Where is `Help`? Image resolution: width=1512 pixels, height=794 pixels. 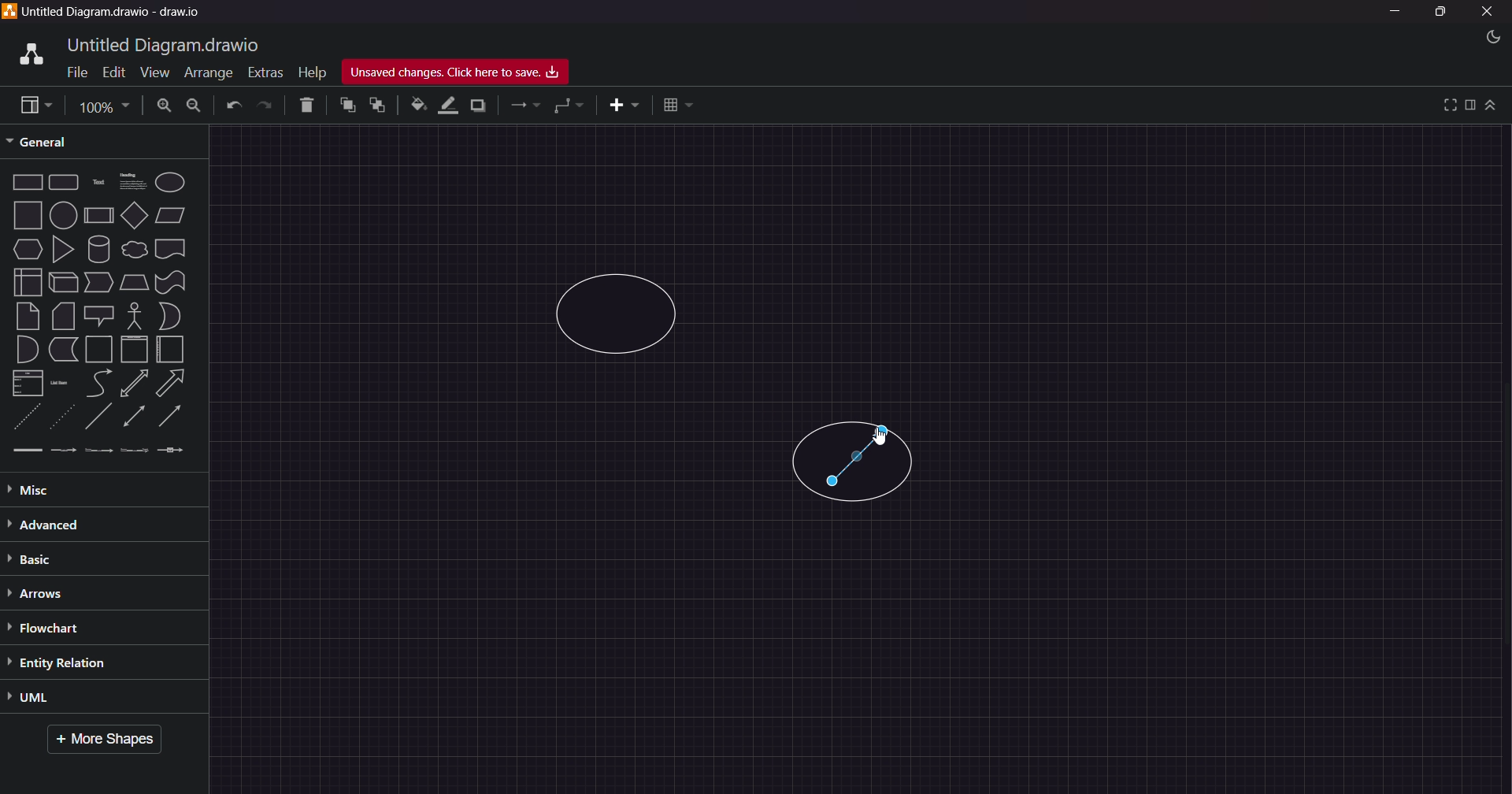 Help is located at coordinates (312, 69).